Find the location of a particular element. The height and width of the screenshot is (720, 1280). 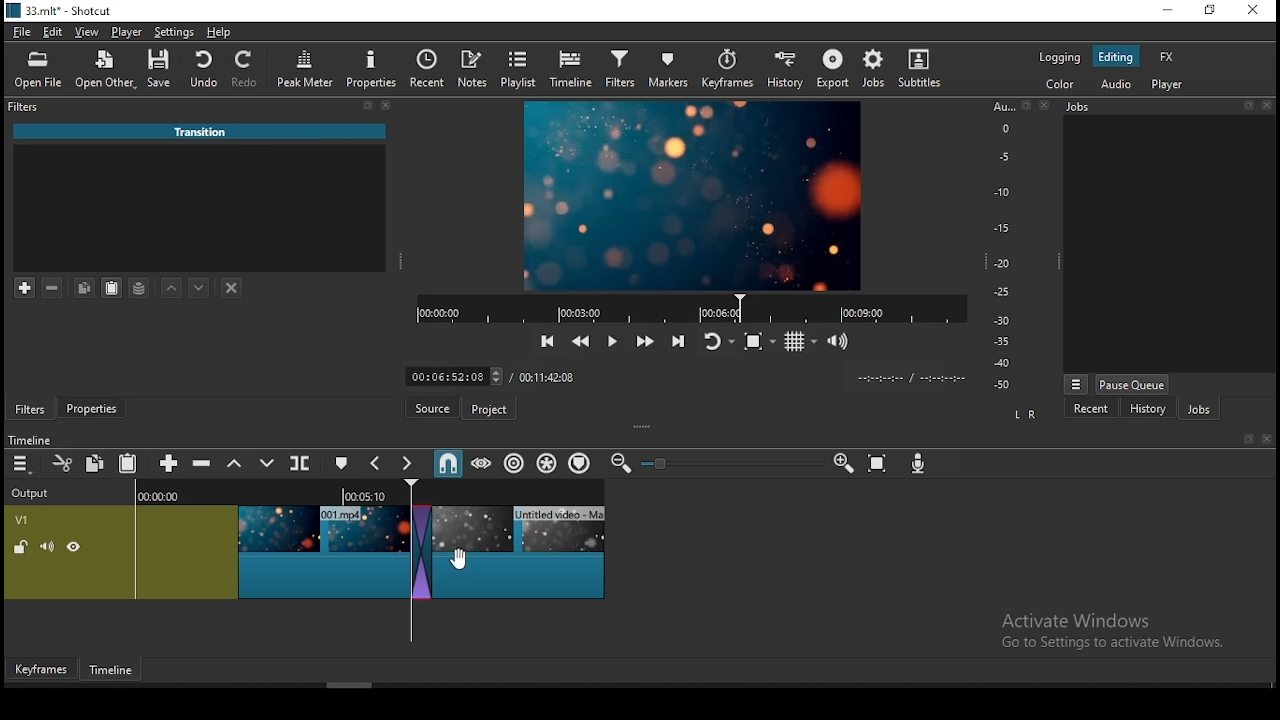

notes is located at coordinates (468, 69).